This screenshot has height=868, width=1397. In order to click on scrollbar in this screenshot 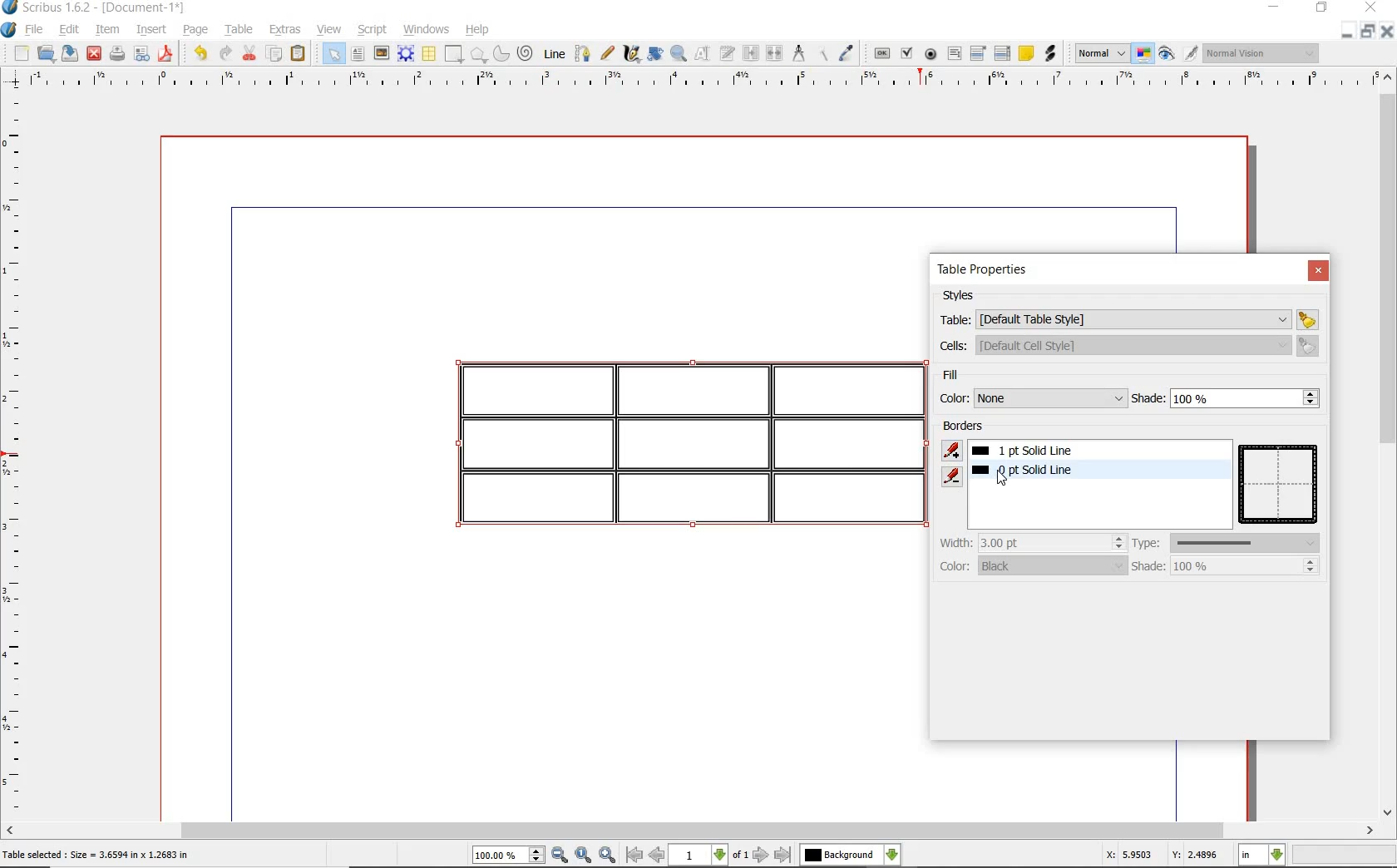, I will do `click(698, 831)`.